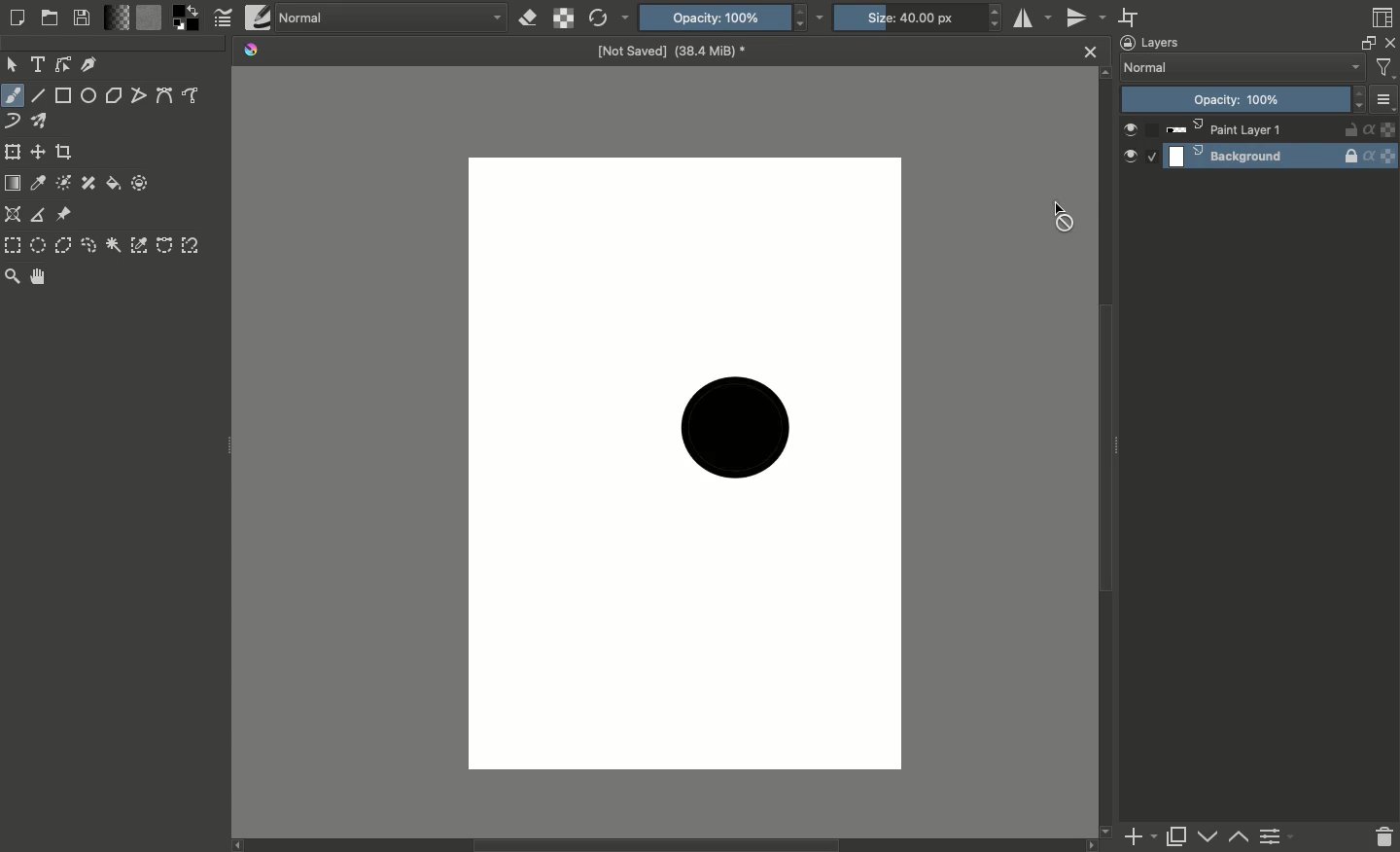 Image resolution: width=1400 pixels, height=852 pixels. What do you see at coordinates (1061, 217) in the screenshot?
I see `cursor` at bounding box center [1061, 217].